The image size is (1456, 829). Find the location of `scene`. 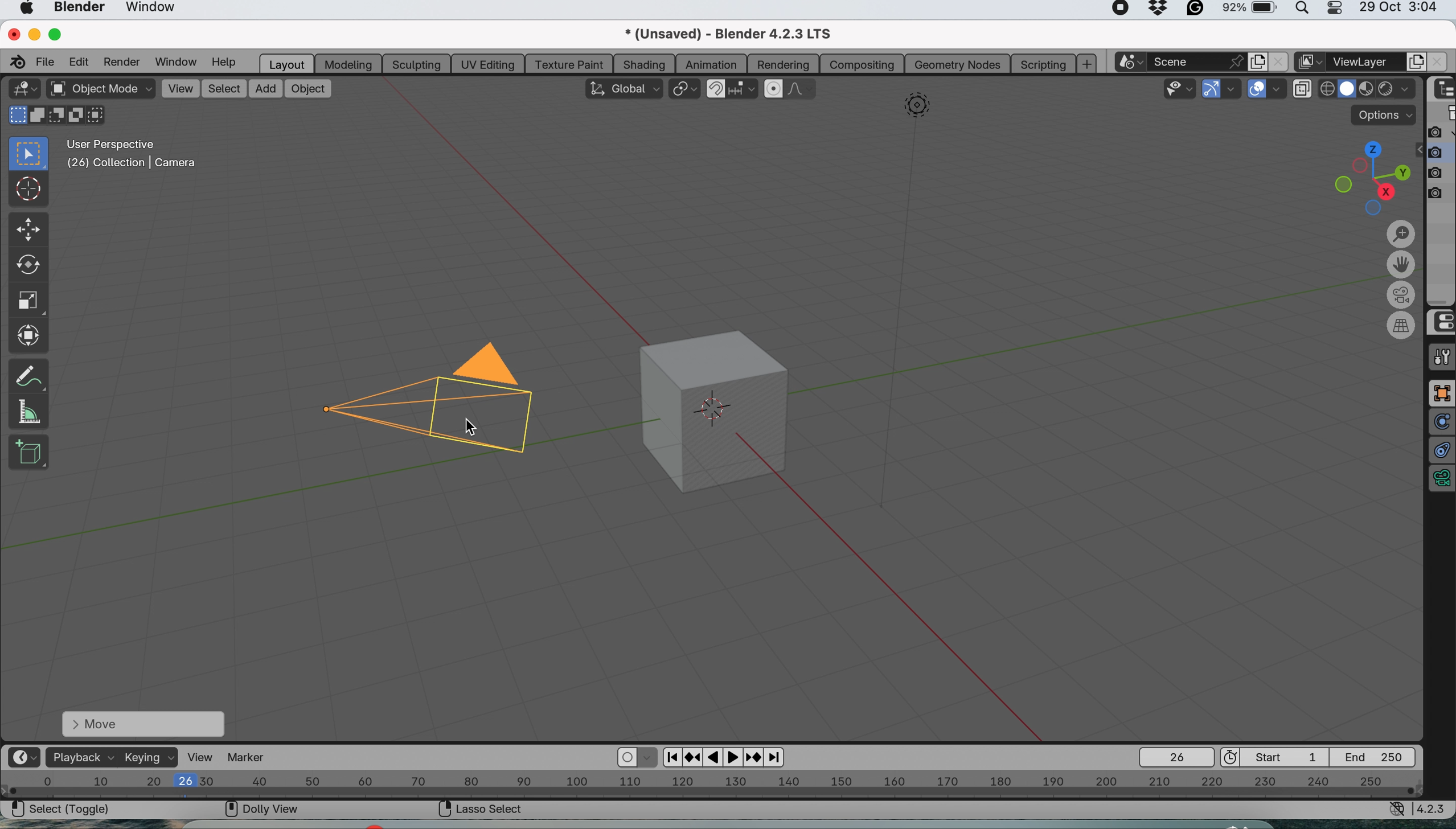

scene is located at coordinates (1200, 61).